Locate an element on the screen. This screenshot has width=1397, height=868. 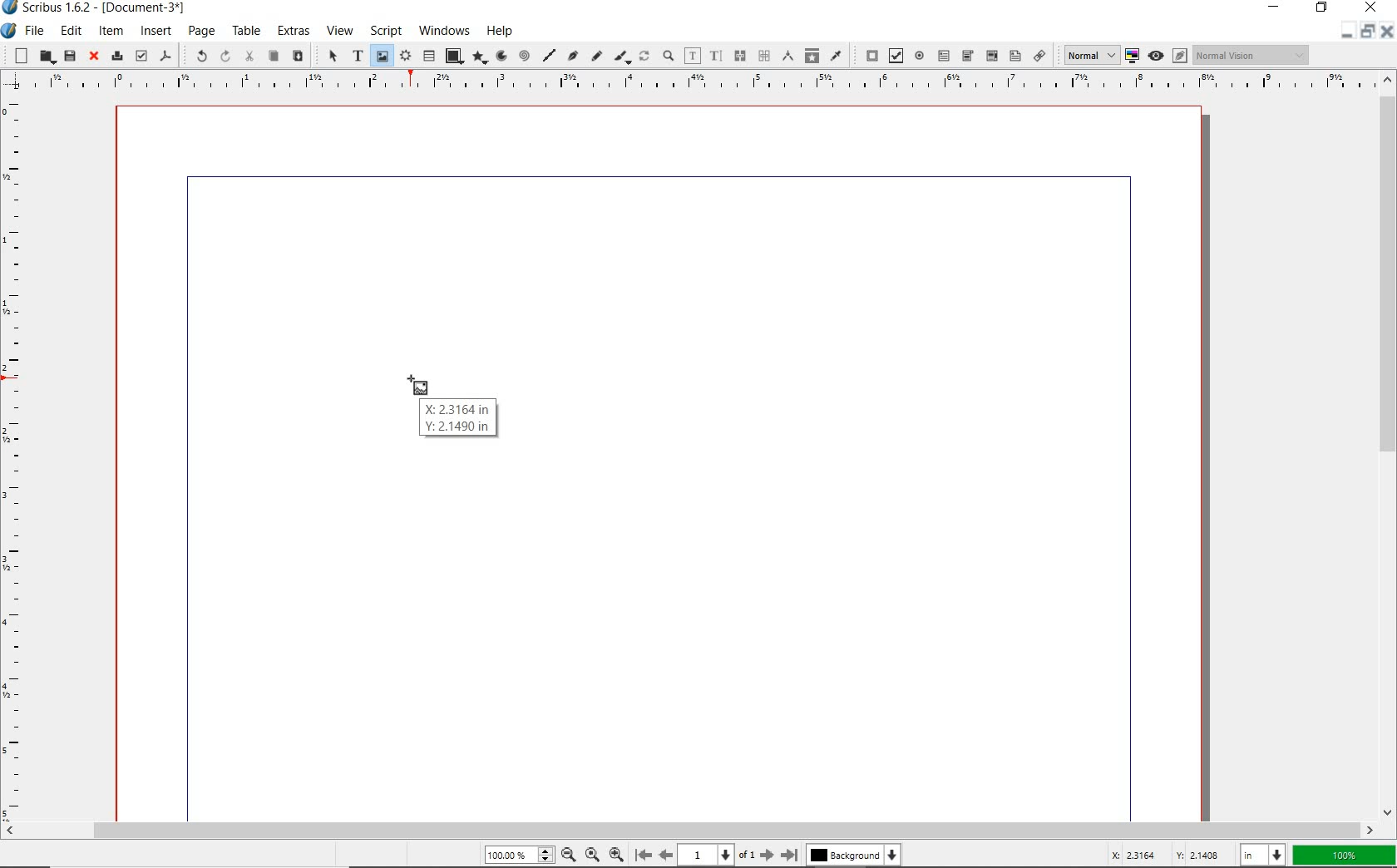
rotate item is located at coordinates (644, 56).